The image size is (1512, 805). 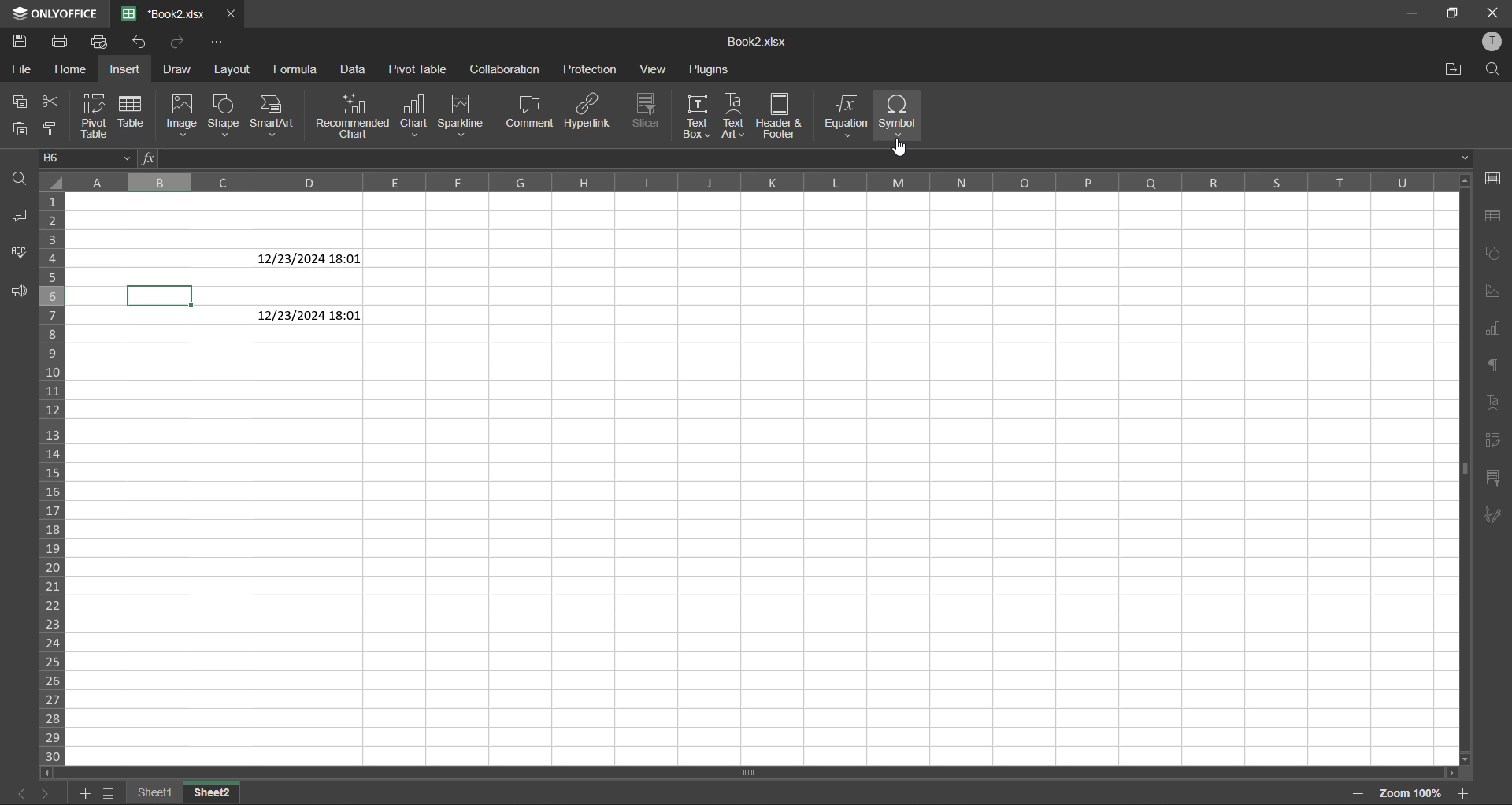 What do you see at coordinates (1495, 332) in the screenshot?
I see `charts` at bounding box center [1495, 332].